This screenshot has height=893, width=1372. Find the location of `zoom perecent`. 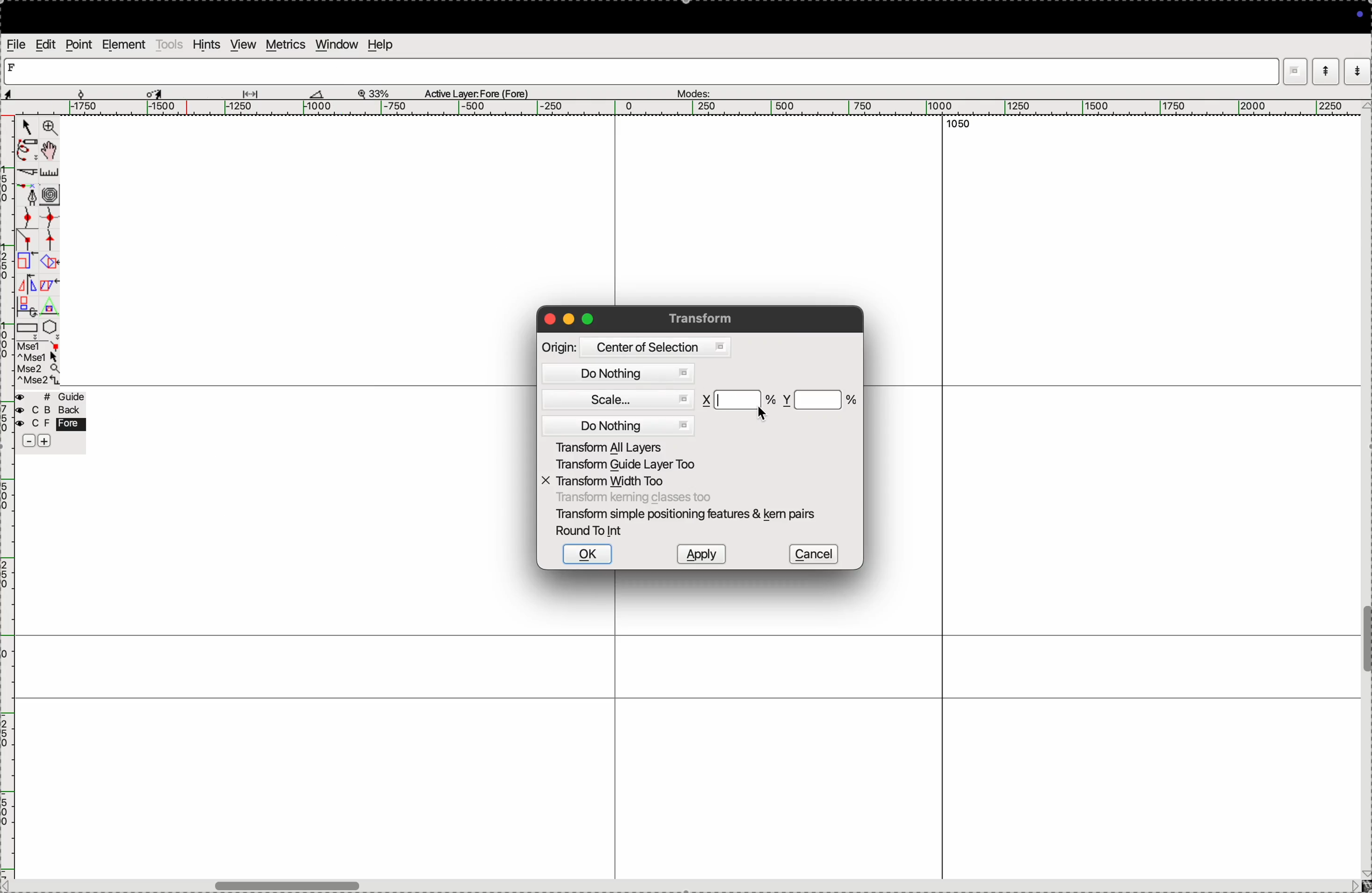

zoom perecent is located at coordinates (374, 92).